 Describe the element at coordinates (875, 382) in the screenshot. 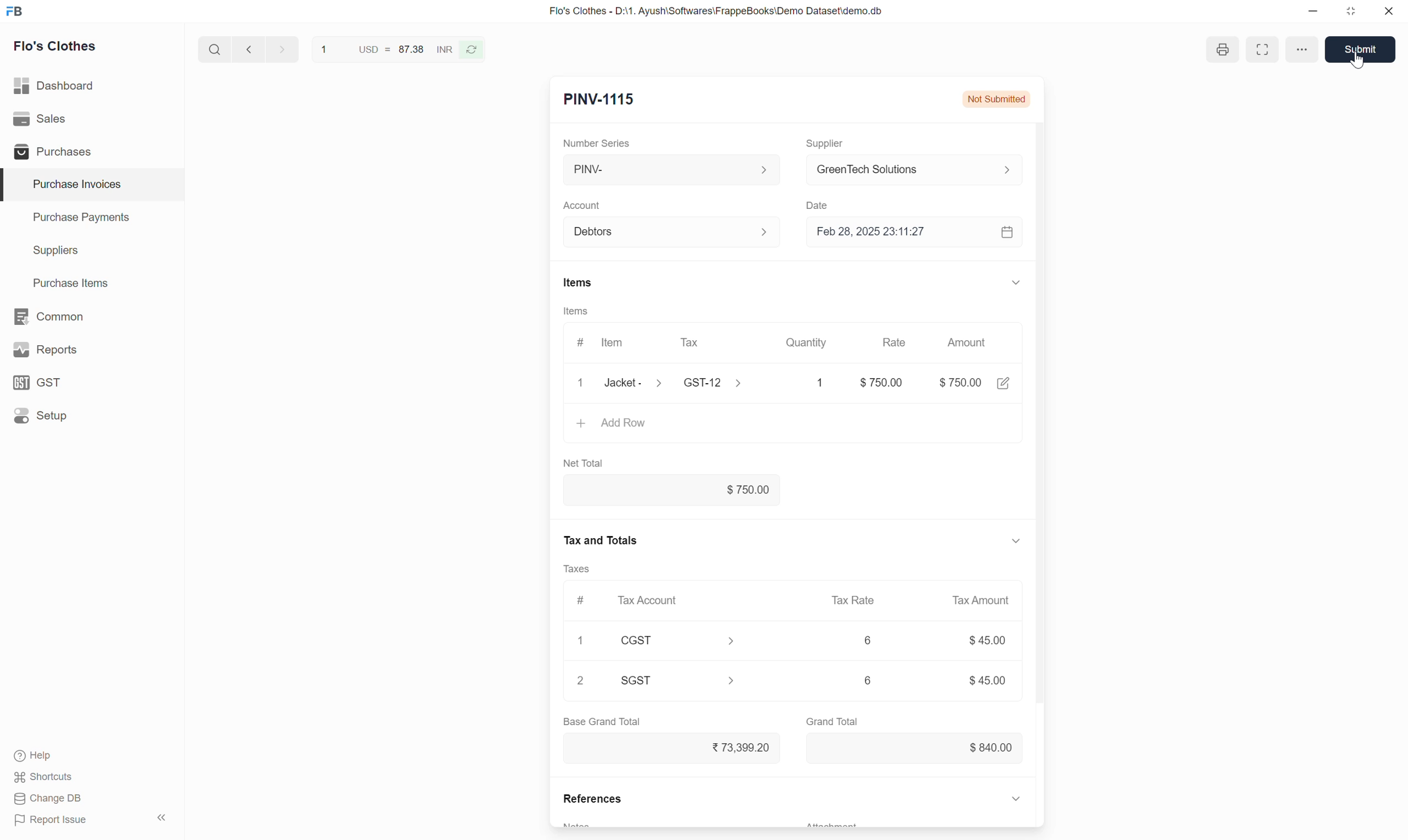

I see `102.99` at that location.